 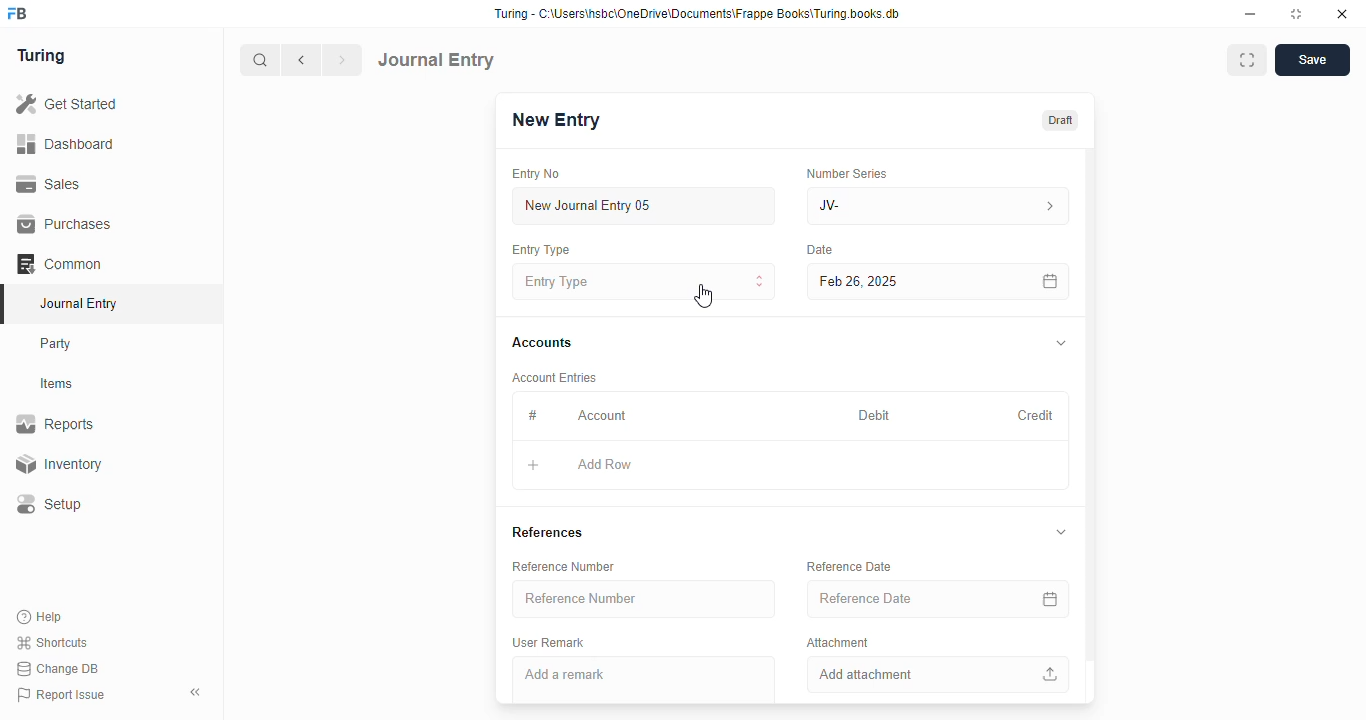 I want to click on toggle between form and full width, so click(x=1246, y=60).